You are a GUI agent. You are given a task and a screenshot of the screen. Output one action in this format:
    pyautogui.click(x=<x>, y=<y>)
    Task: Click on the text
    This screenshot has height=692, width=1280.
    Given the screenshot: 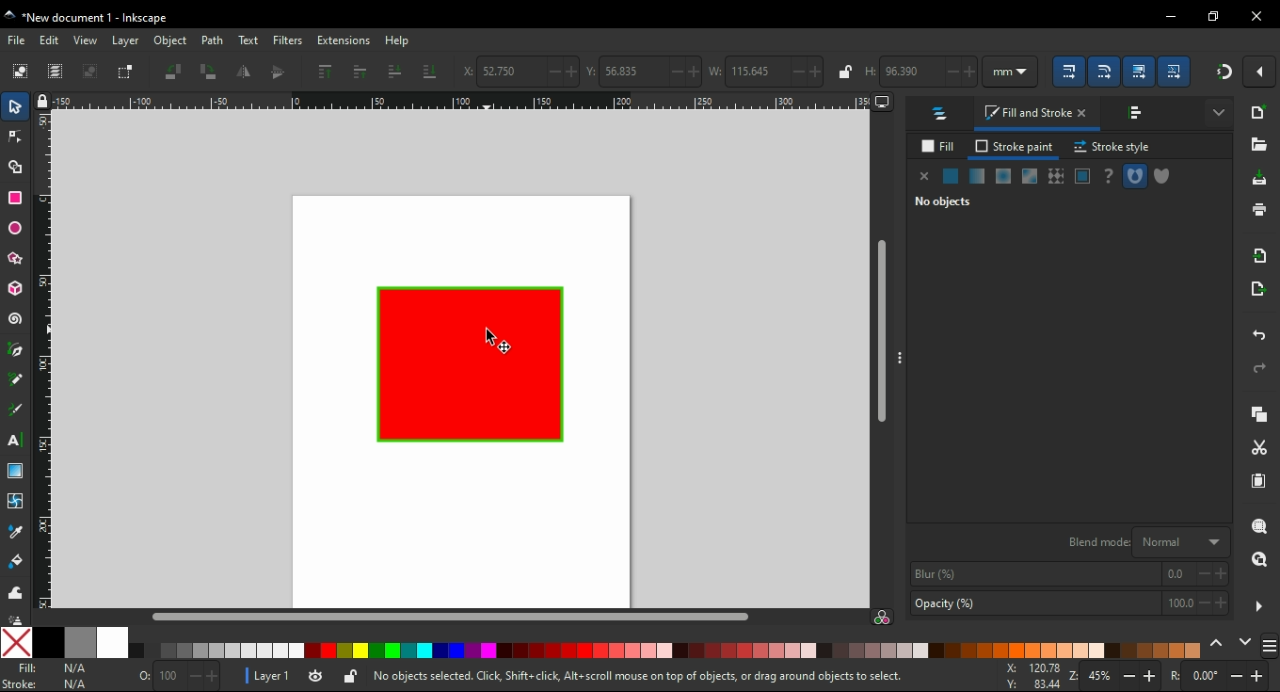 What is the action you would take?
    pyautogui.click(x=249, y=40)
    